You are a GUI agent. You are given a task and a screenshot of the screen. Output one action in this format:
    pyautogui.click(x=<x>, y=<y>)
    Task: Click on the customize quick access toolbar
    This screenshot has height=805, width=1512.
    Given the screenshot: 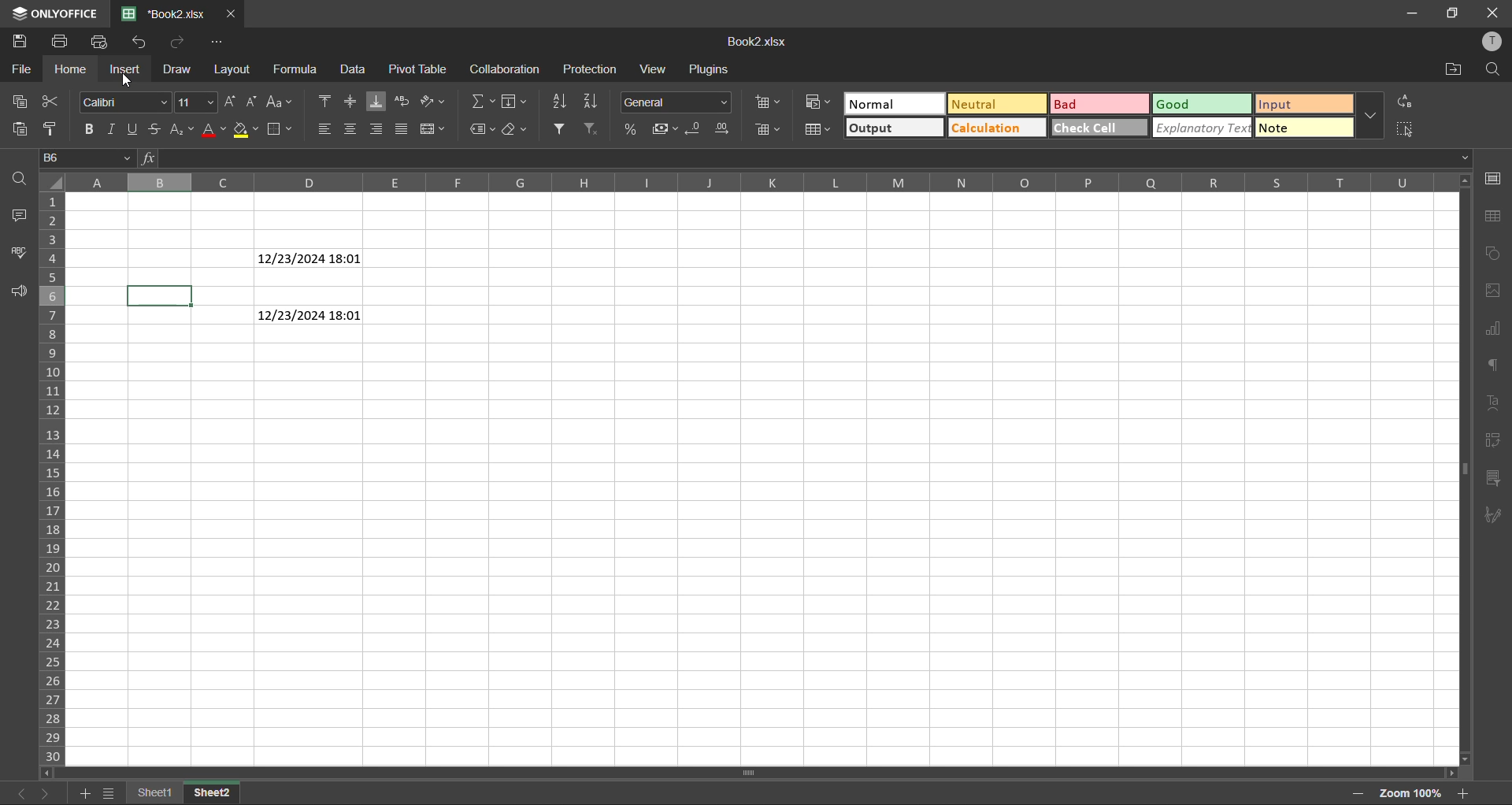 What is the action you would take?
    pyautogui.click(x=217, y=41)
    